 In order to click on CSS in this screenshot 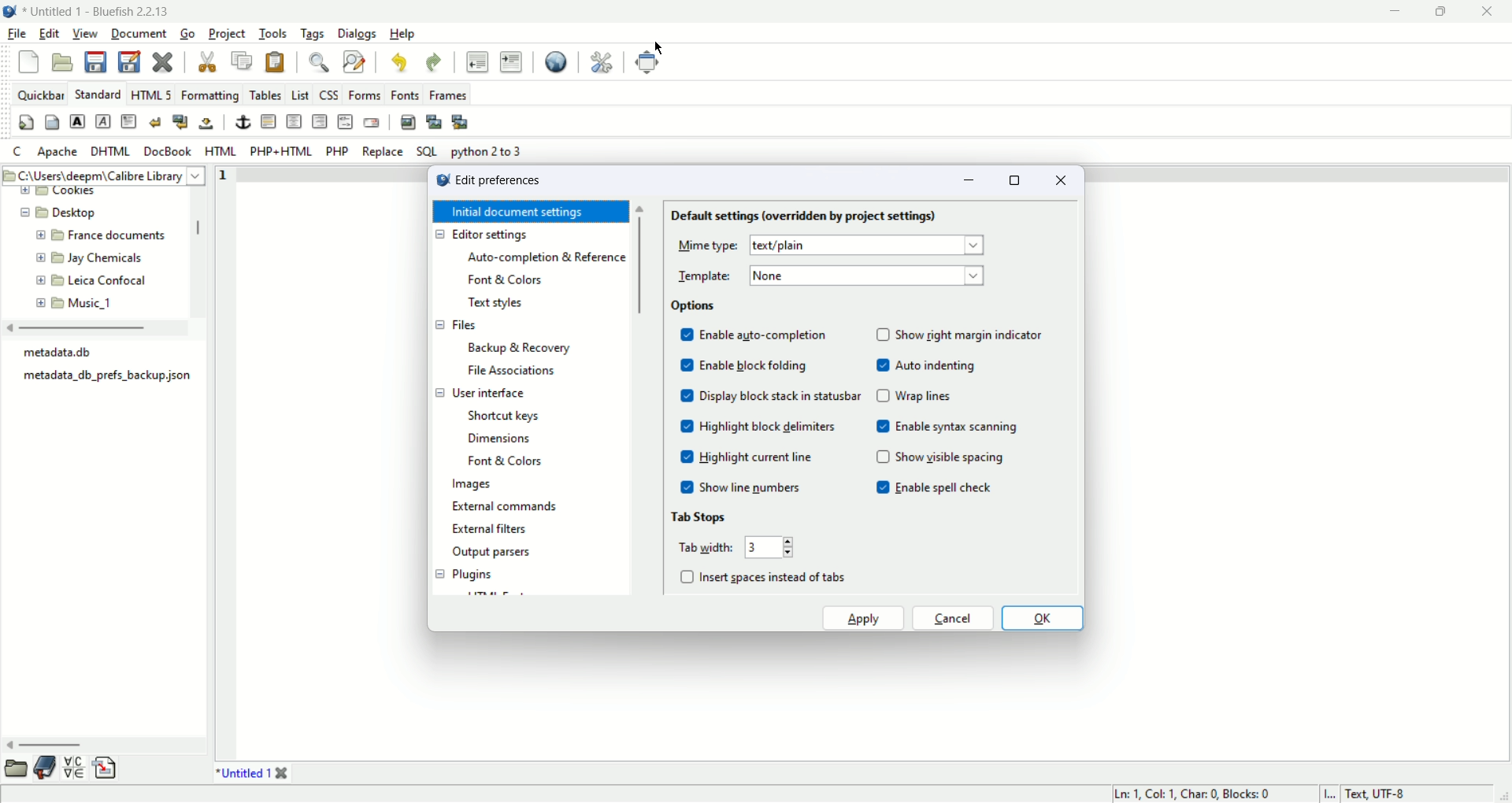, I will do `click(329, 95)`.